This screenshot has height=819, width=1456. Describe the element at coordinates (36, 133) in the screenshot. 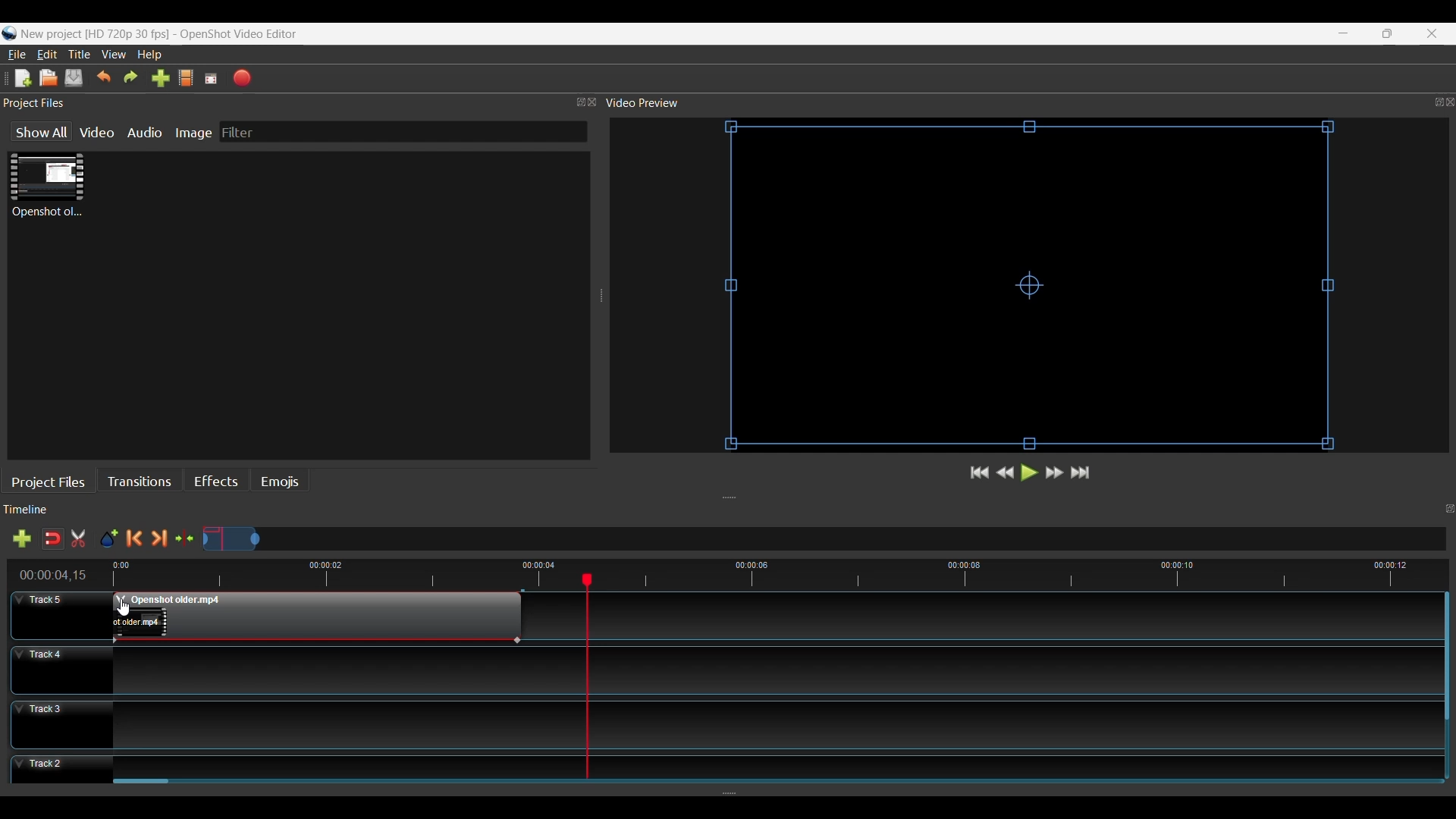

I see `Show All` at that location.